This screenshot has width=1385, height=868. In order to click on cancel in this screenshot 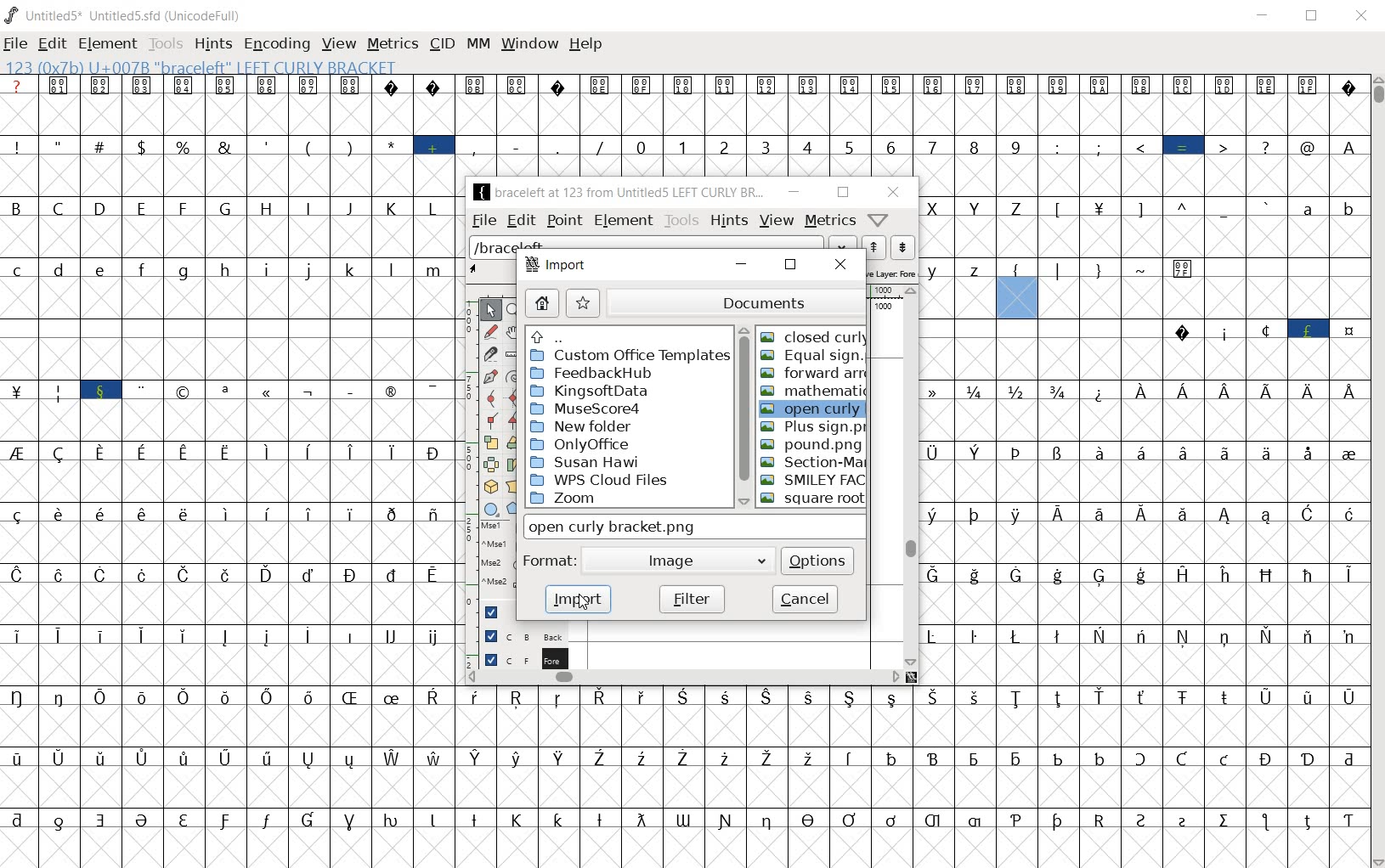, I will do `click(805, 599)`.